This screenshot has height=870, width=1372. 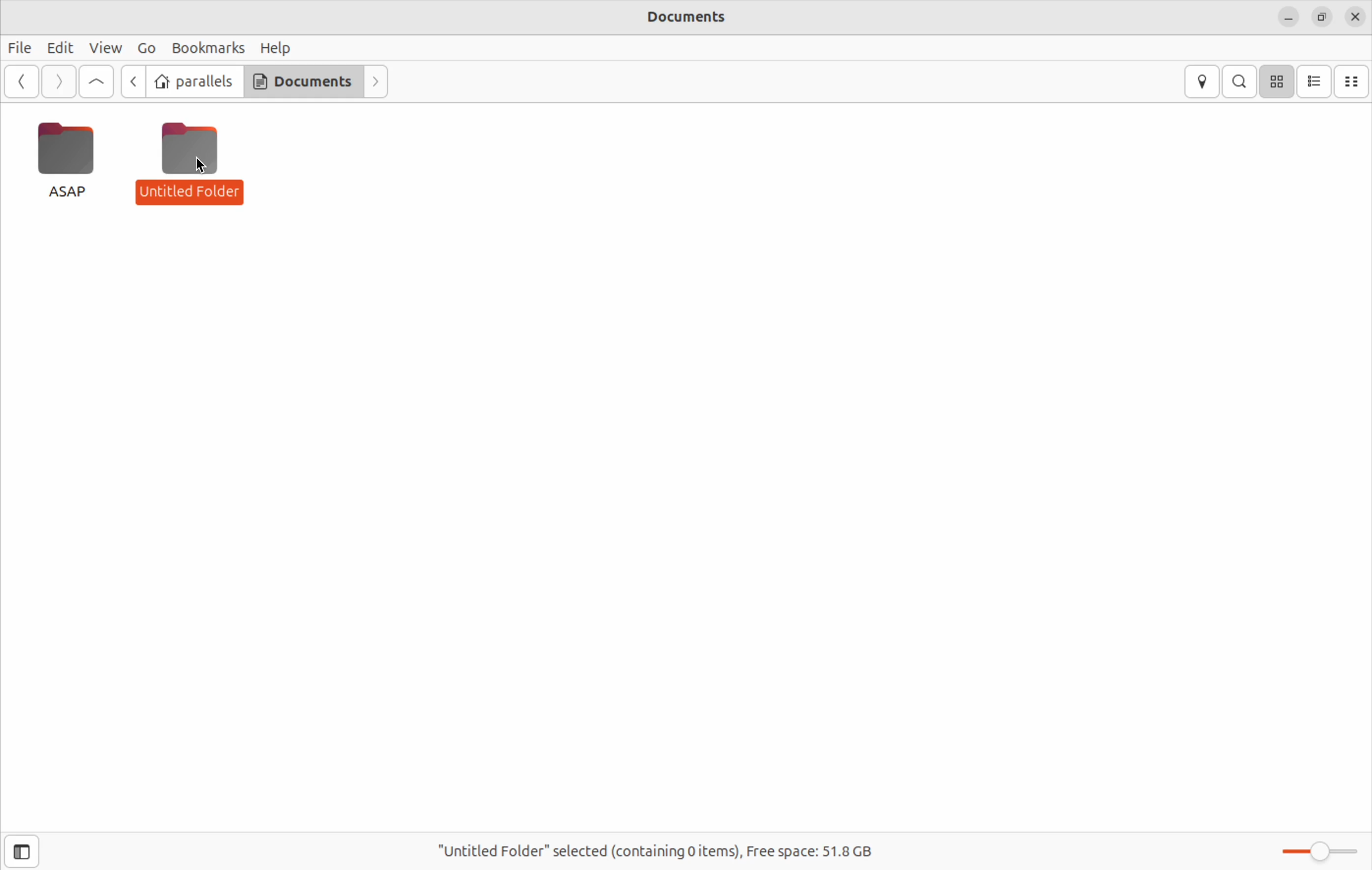 What do you see at coordinates (1353, 83) in the screenshot?
I see `compact view` at bounding box center [1353, 83].